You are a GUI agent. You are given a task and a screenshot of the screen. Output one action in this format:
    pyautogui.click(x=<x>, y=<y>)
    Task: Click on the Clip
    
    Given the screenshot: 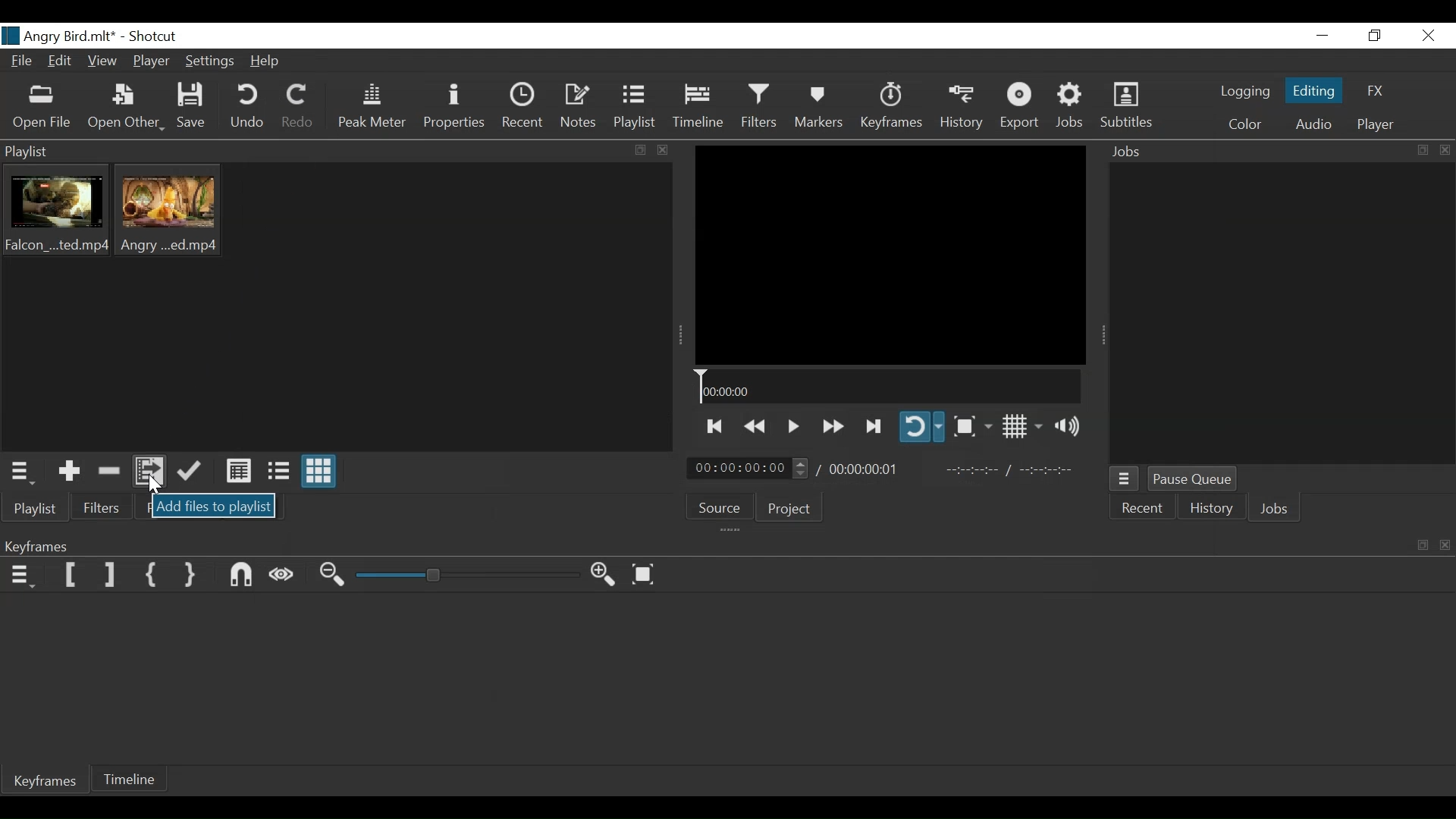 What is the action you would take?
    pyautogui.click(x=60, y=214)
    